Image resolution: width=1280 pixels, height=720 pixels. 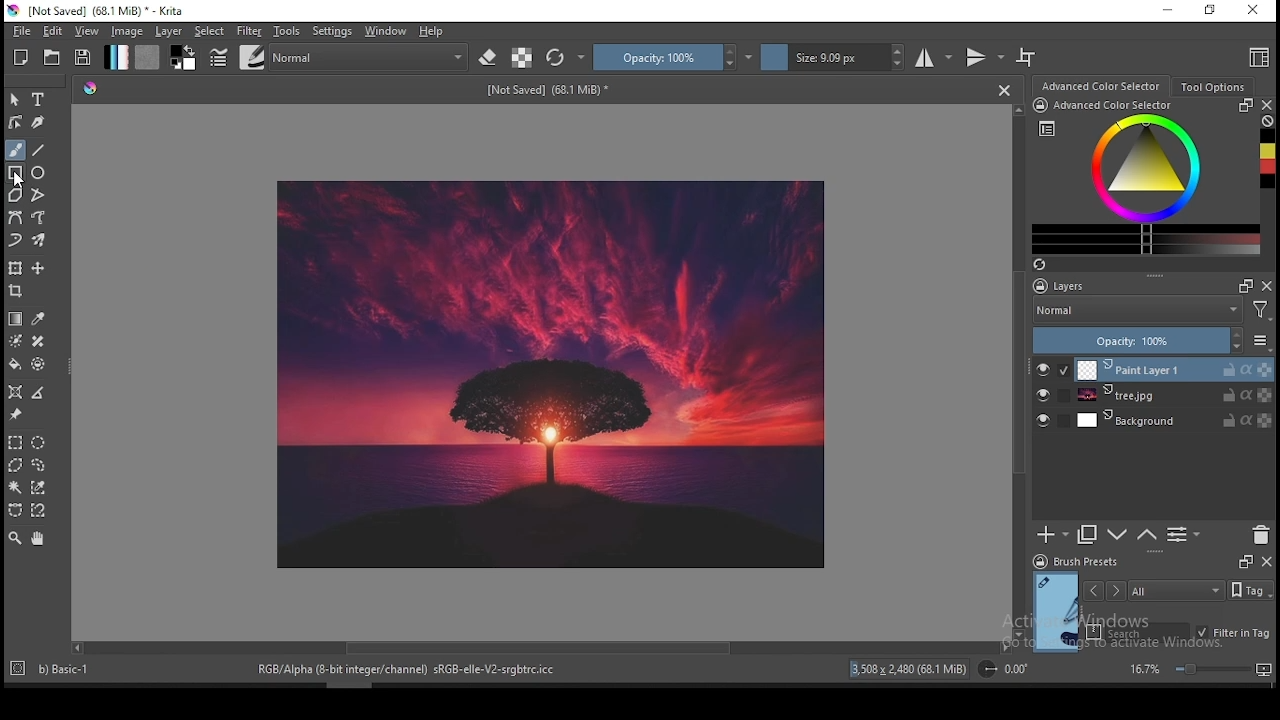 I want to click on brushes, so click(x=251, y=57).